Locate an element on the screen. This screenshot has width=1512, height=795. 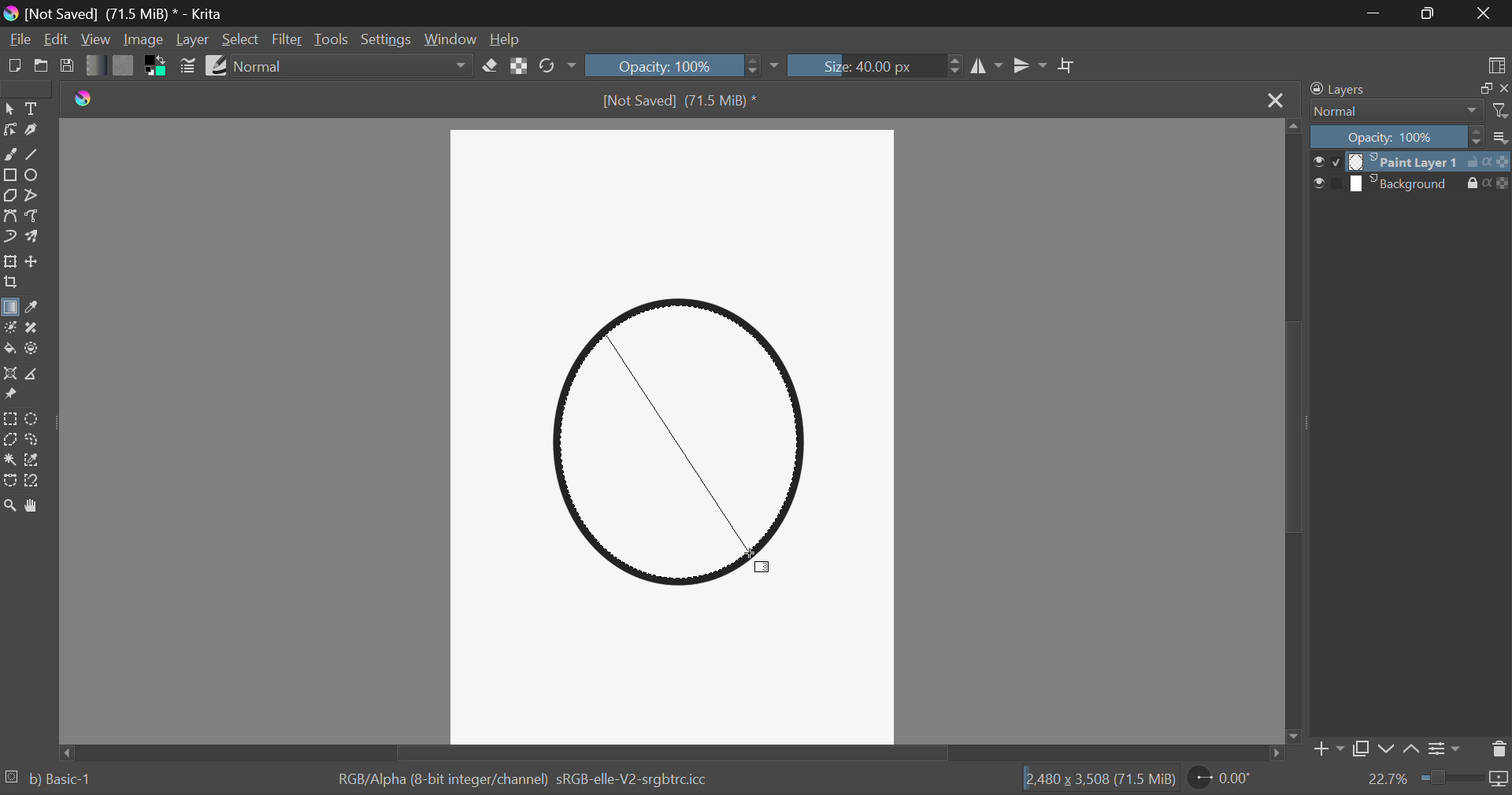
b) Basic-1 is located at coordinates (57, 780).